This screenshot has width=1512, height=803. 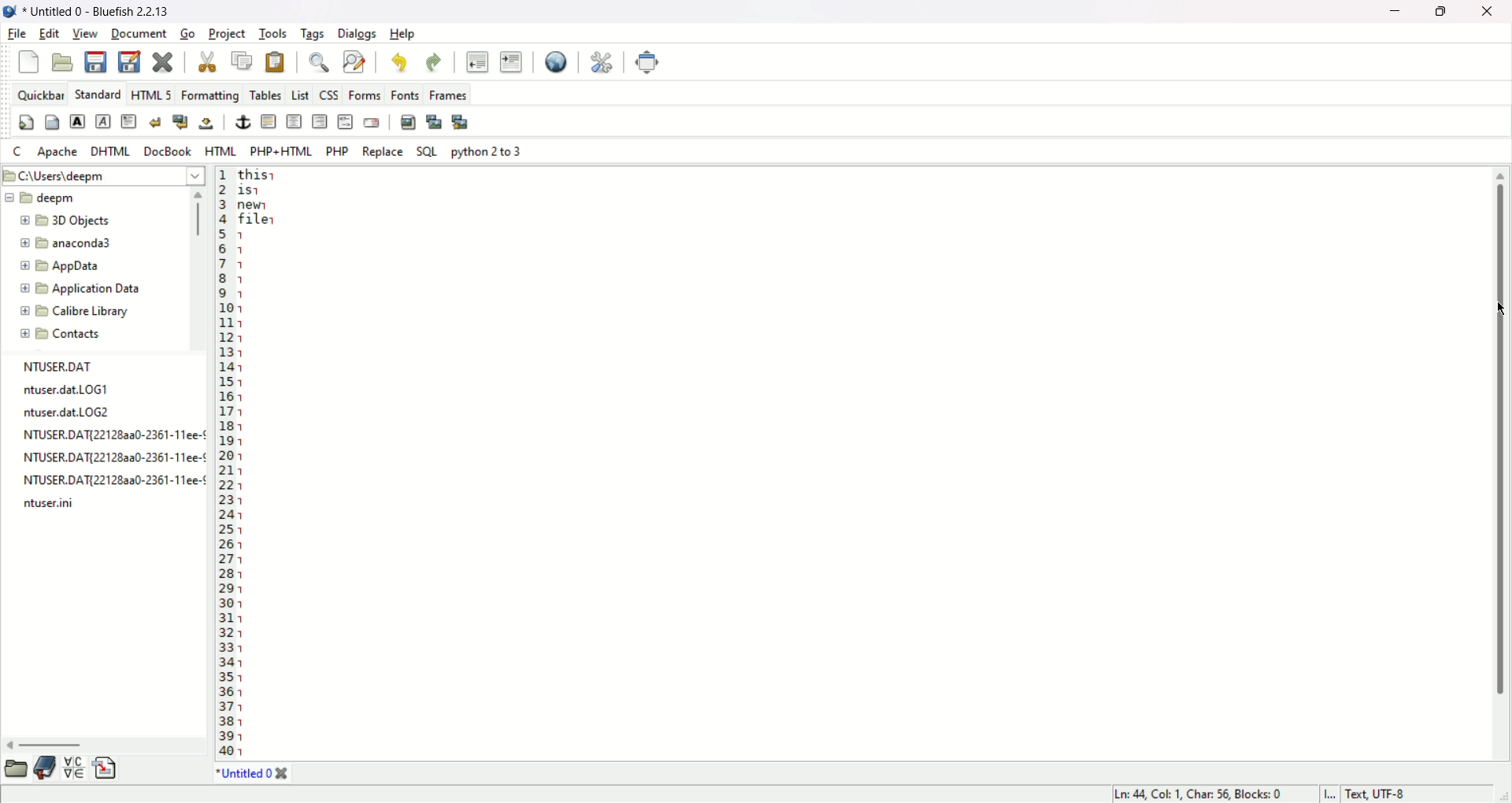 What do you see at coordinates (80, 287) in the screenshot?
I see `Folder name` at bounding box center [80, 287].